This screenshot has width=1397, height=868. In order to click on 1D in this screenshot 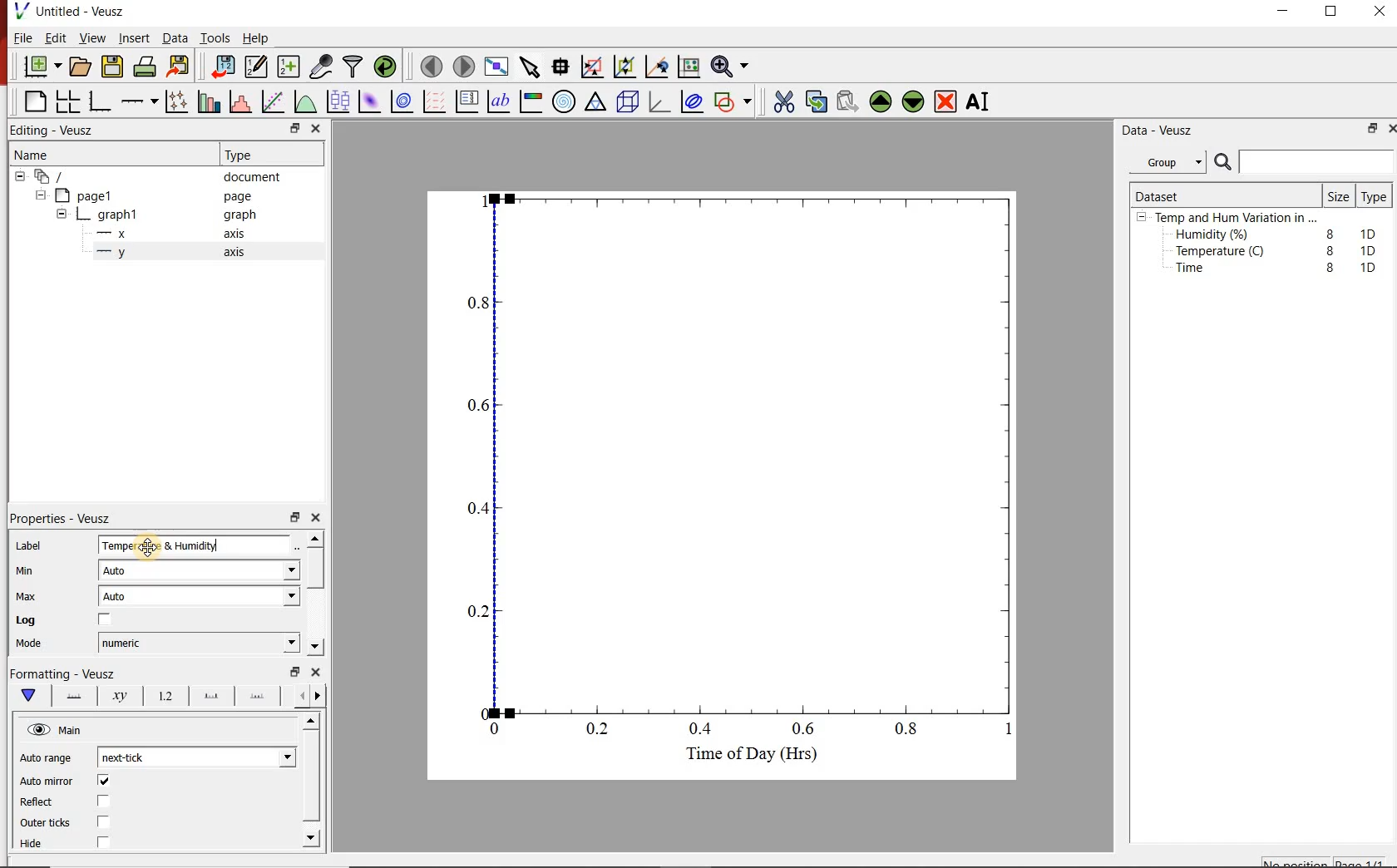, I will do `click(1368, 267)`.